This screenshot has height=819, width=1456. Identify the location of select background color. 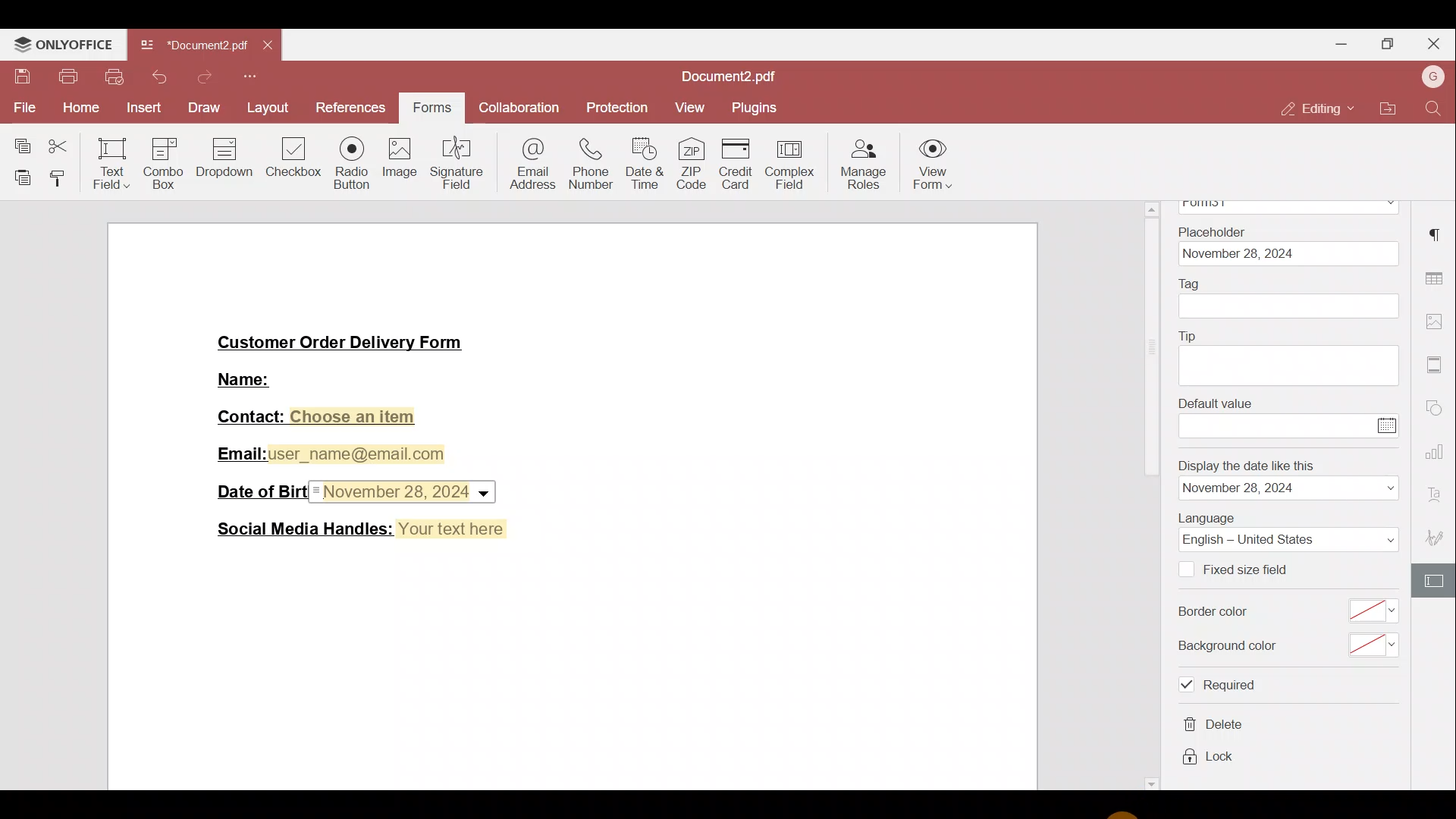
(1374, 643).